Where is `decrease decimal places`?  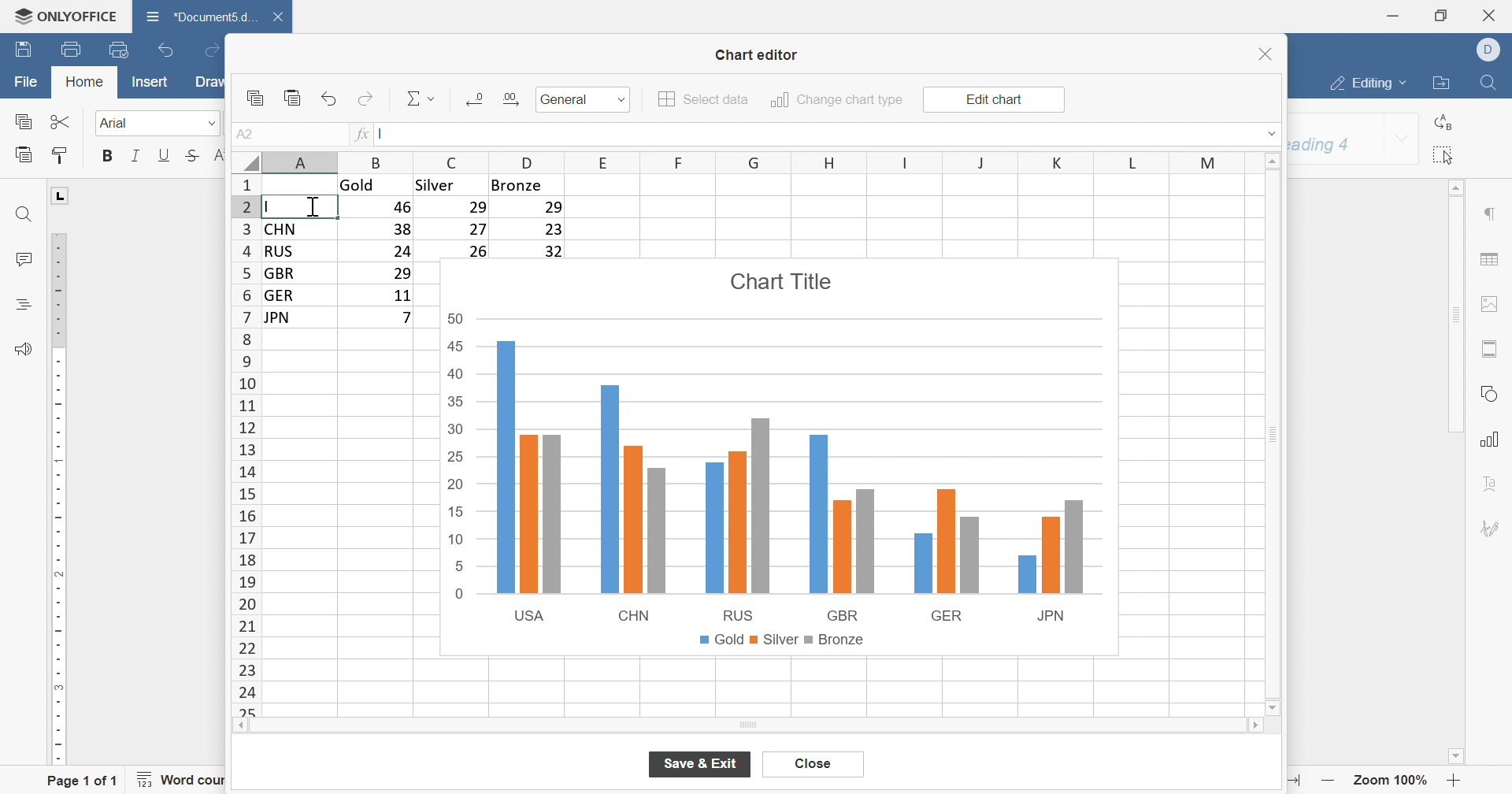
decrease decimal places is located at coordinates (476, 98).